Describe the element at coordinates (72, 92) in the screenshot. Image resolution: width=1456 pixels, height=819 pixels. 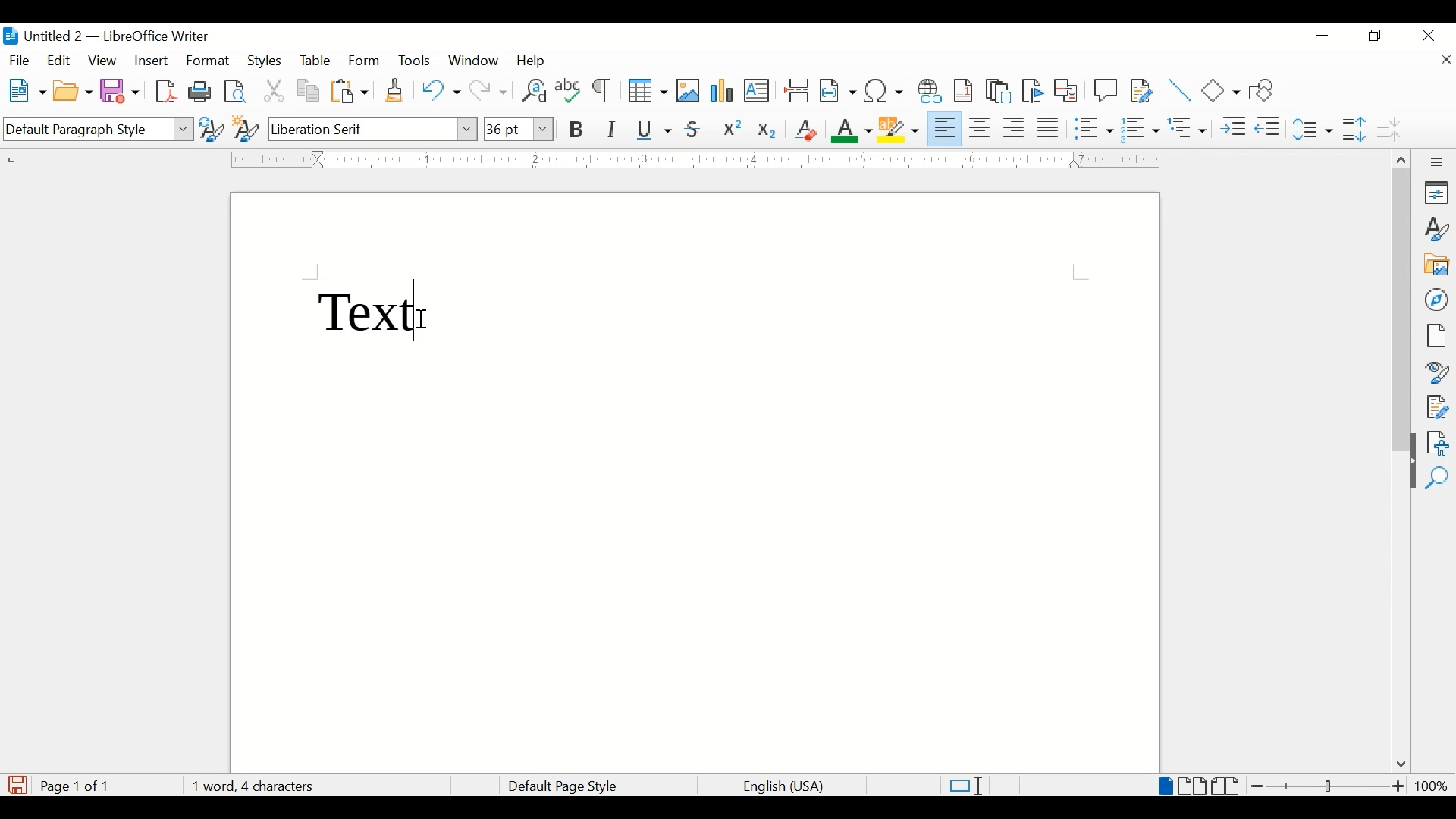
I see `open` at that location.